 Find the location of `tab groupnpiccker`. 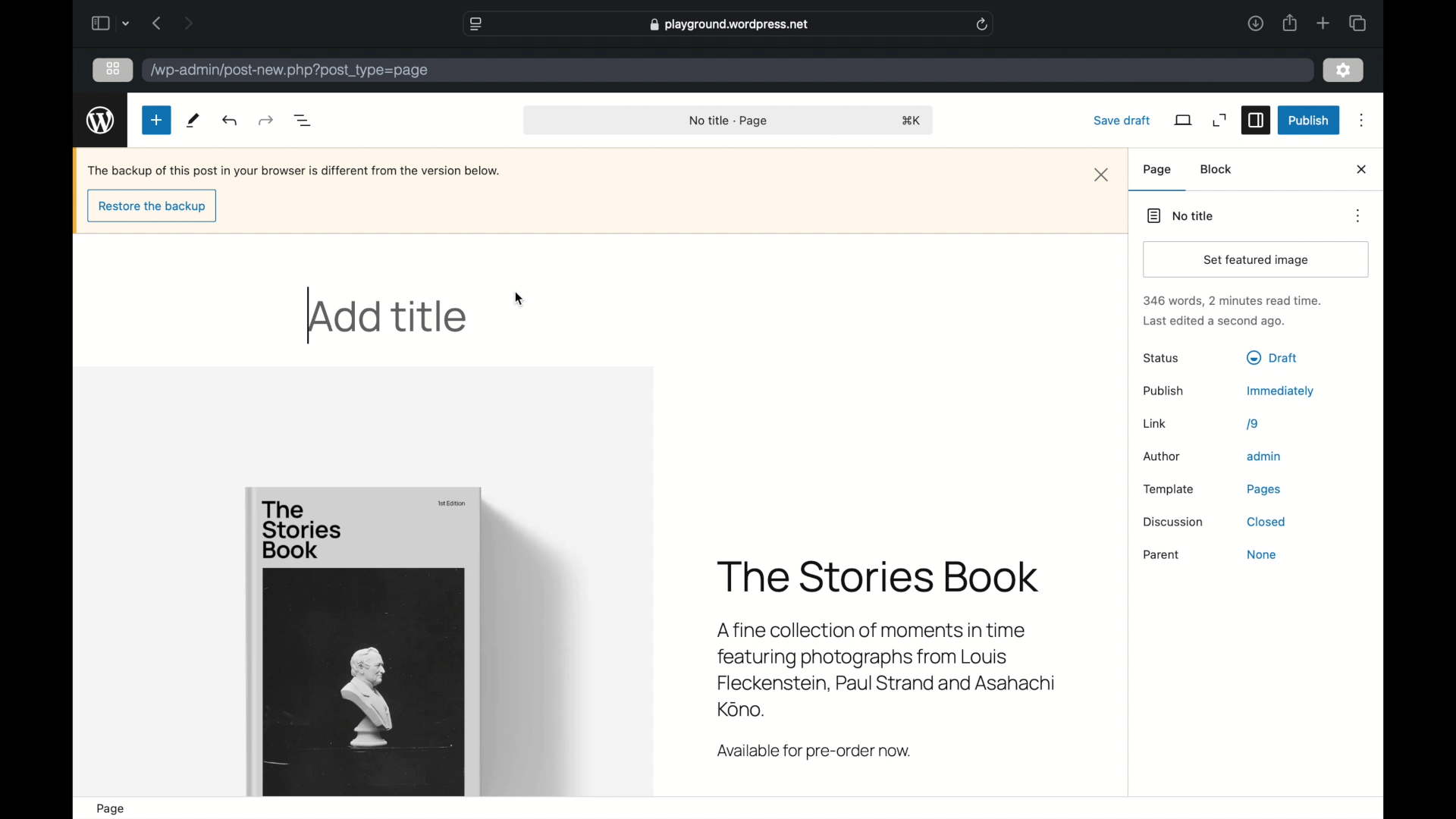

tab groupnpiccker is located at coordinates (126, 24).